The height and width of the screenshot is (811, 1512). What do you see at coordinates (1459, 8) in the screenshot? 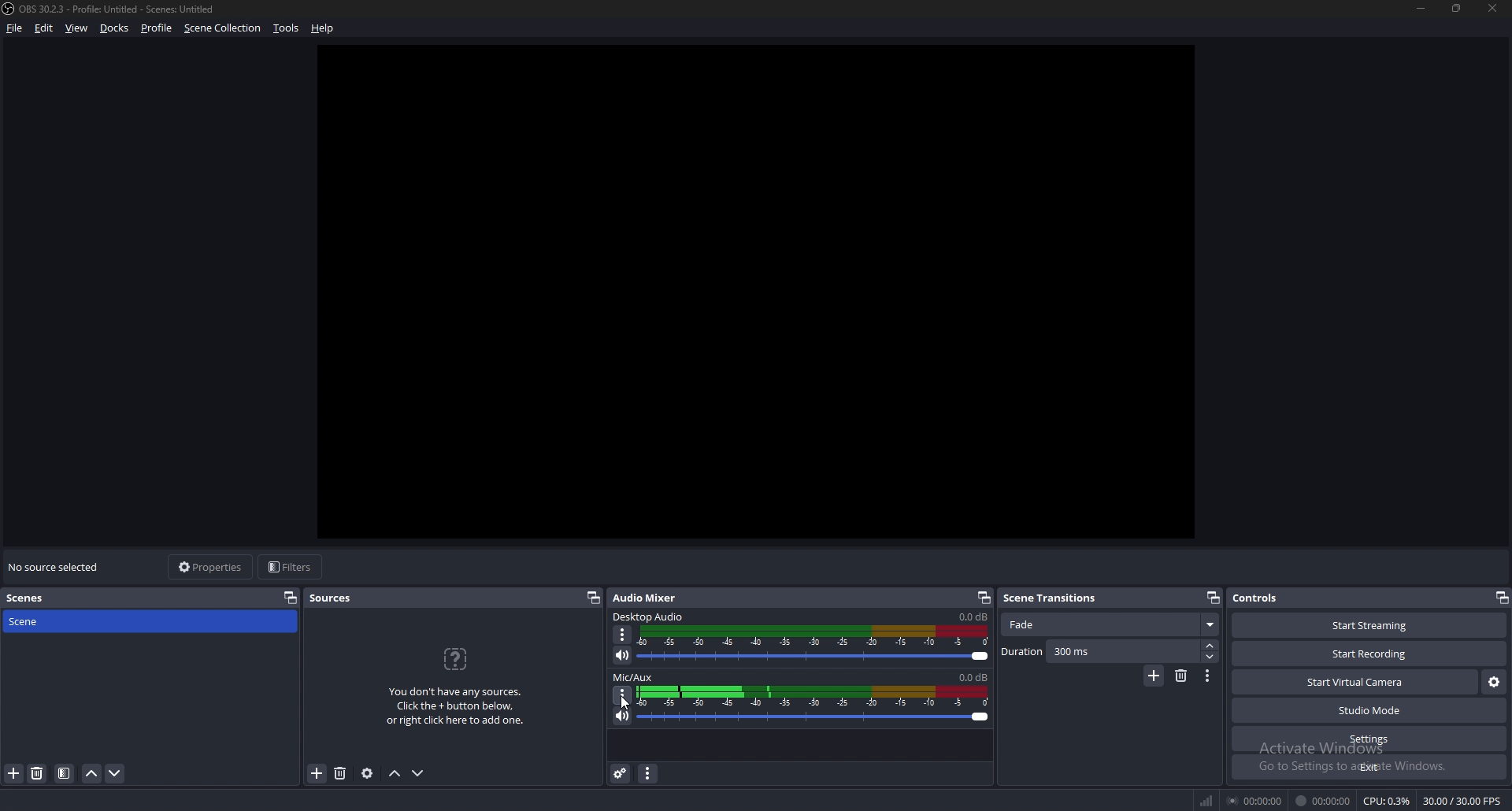
I see `resize` at bounding box center [1459, 8].